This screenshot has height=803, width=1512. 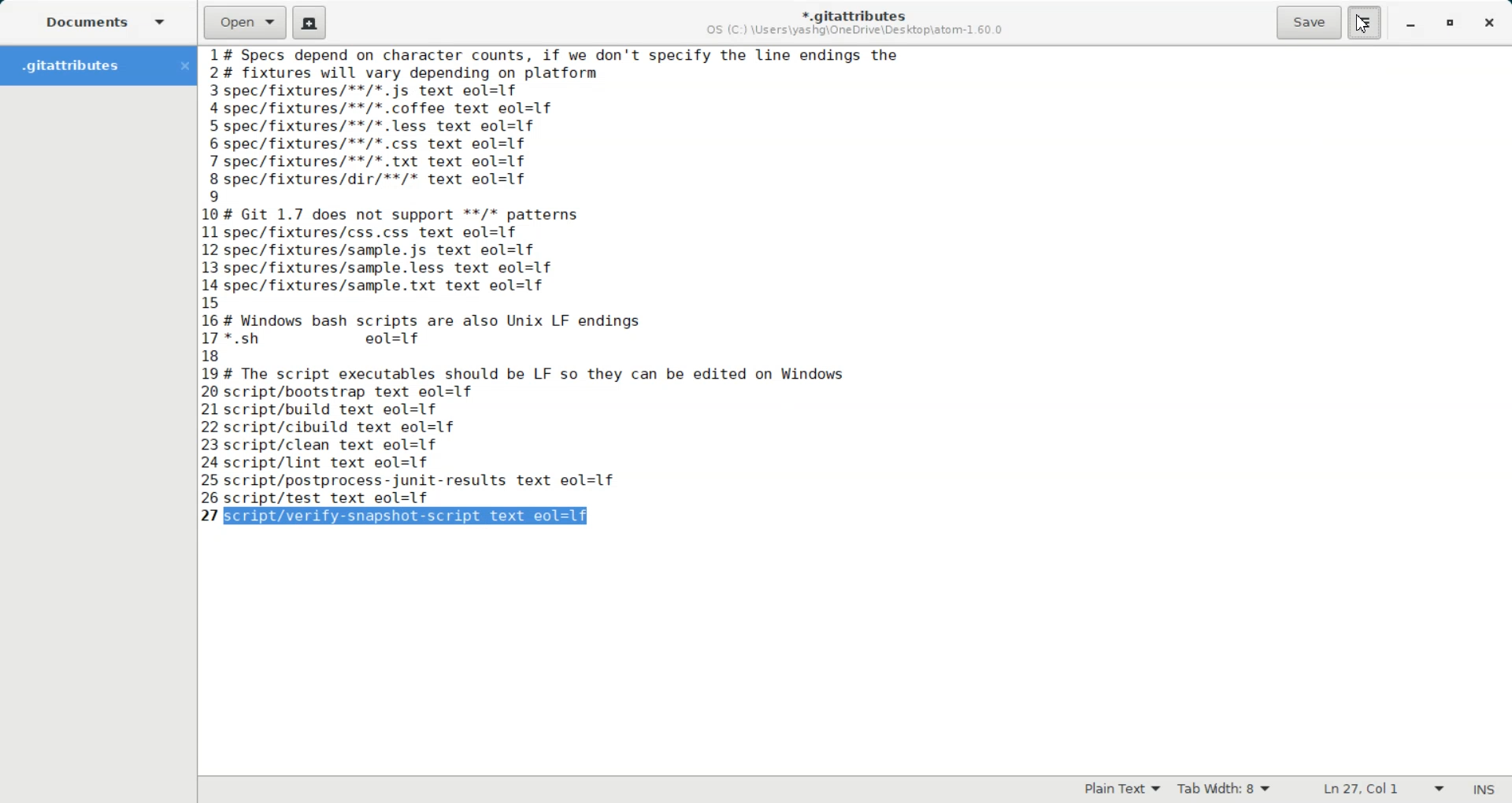 I want to click on Create a new document, so click(x=310, y=23).